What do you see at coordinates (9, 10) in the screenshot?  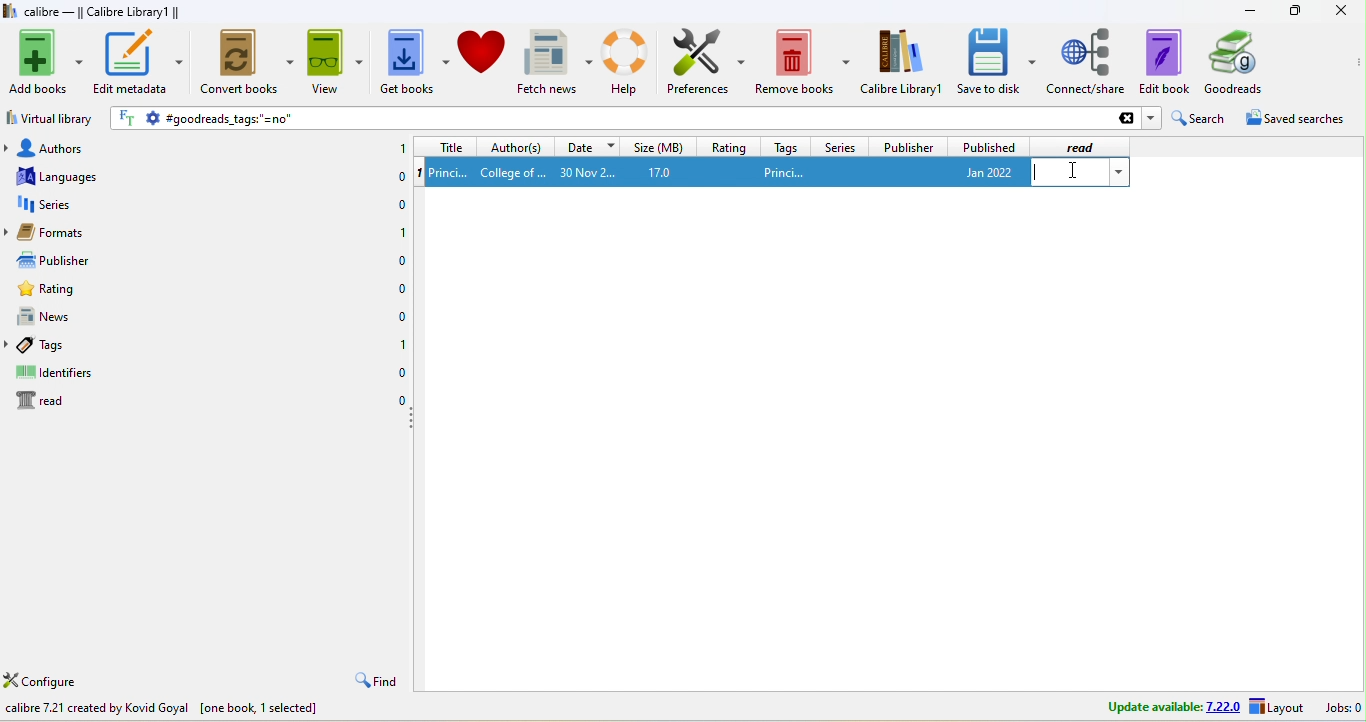 I see `logo` at bounding box center [9, 10].